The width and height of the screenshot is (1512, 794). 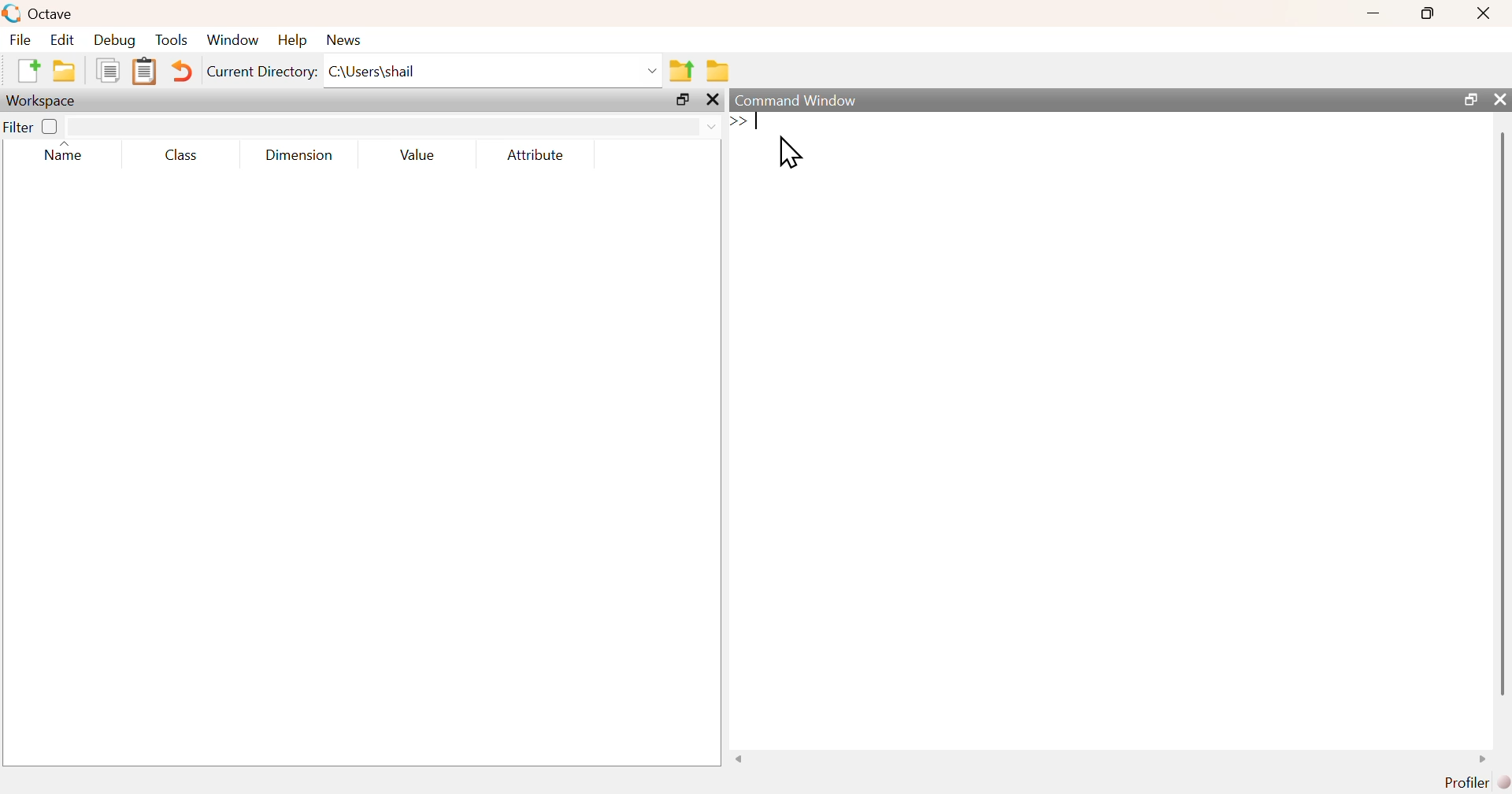 I want to click on Value, so click(x=417, y=154).